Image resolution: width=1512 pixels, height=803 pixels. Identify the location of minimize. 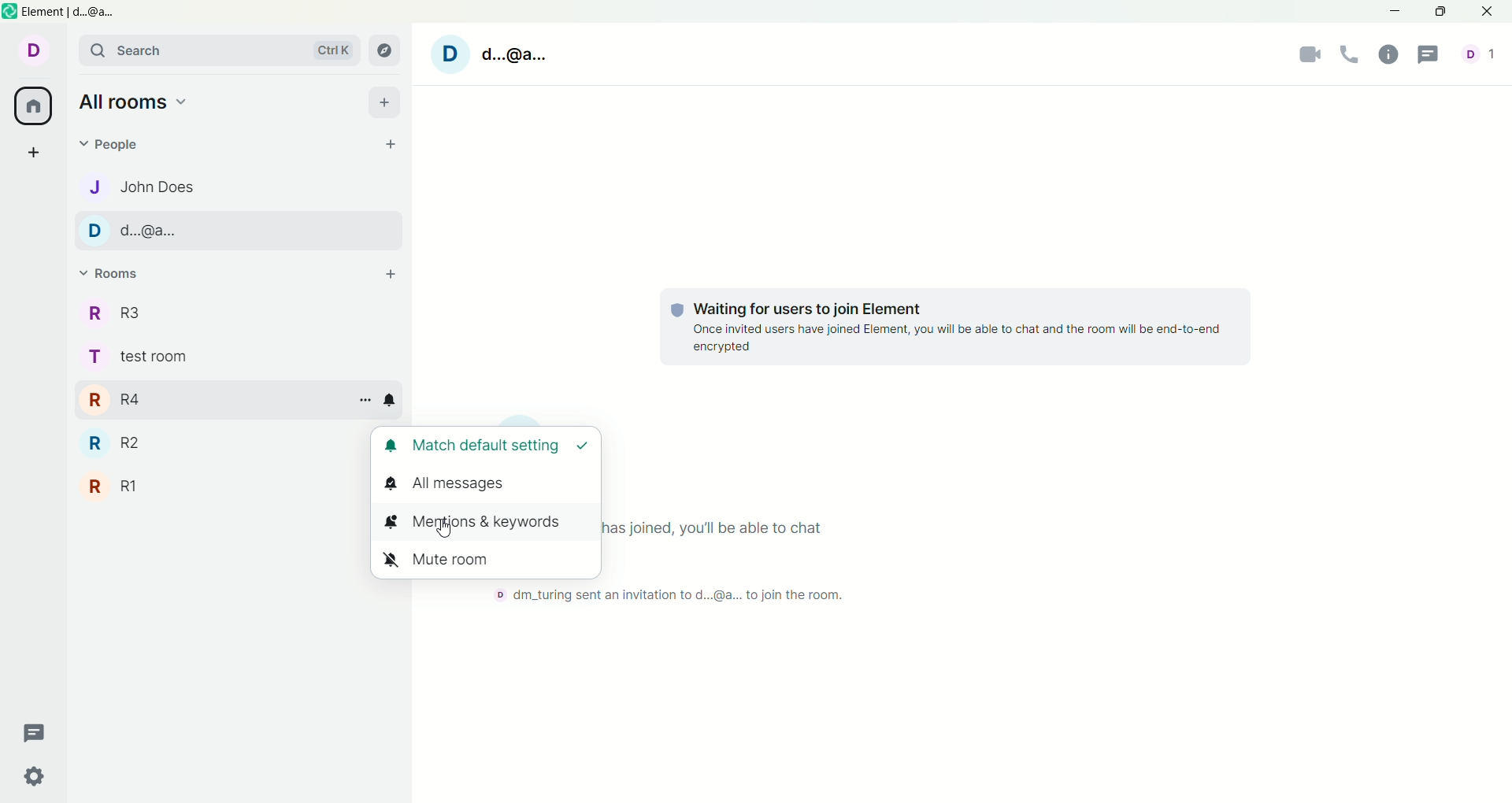
(1392, 11).